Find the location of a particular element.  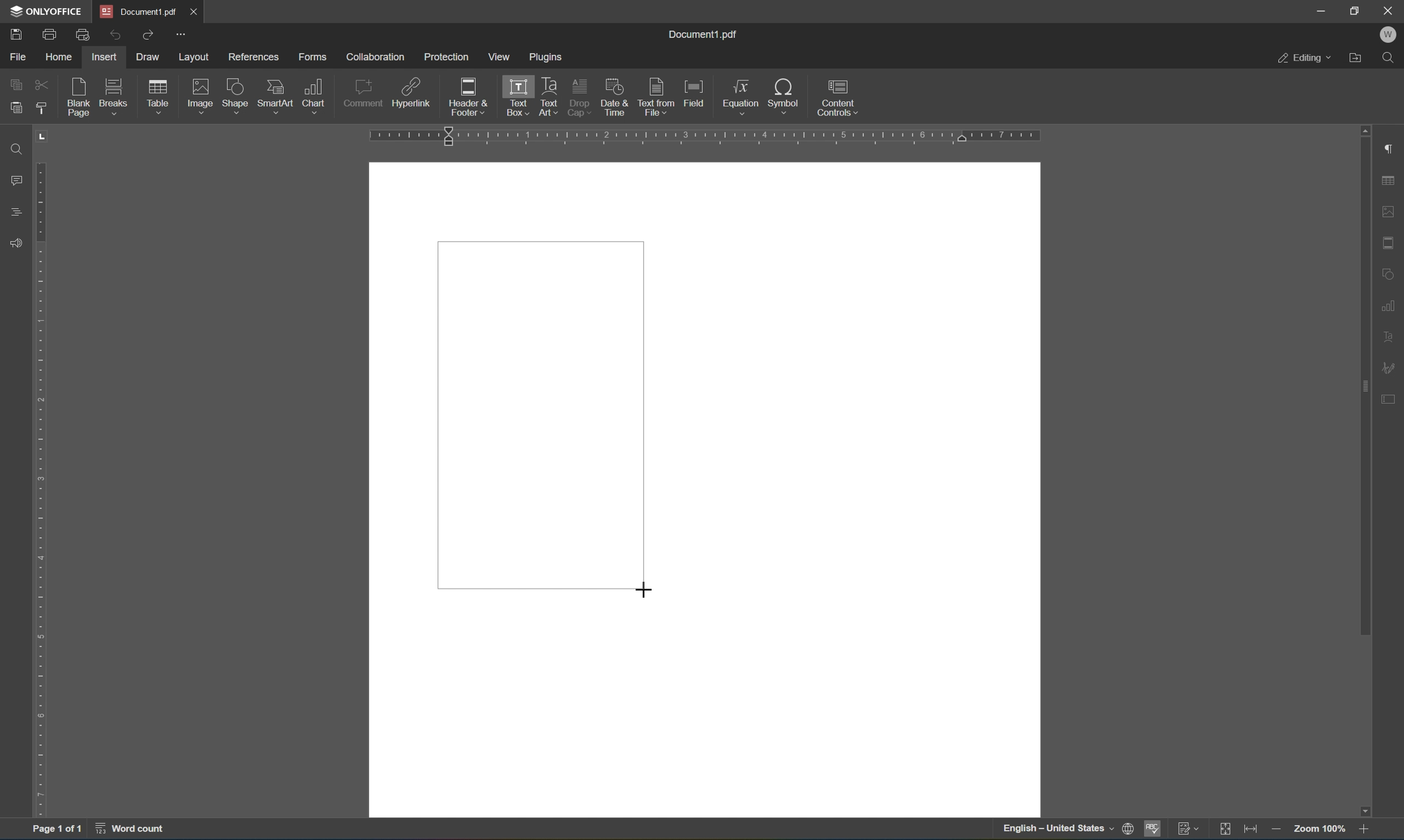

symbol is located at coordinates (787, 98).